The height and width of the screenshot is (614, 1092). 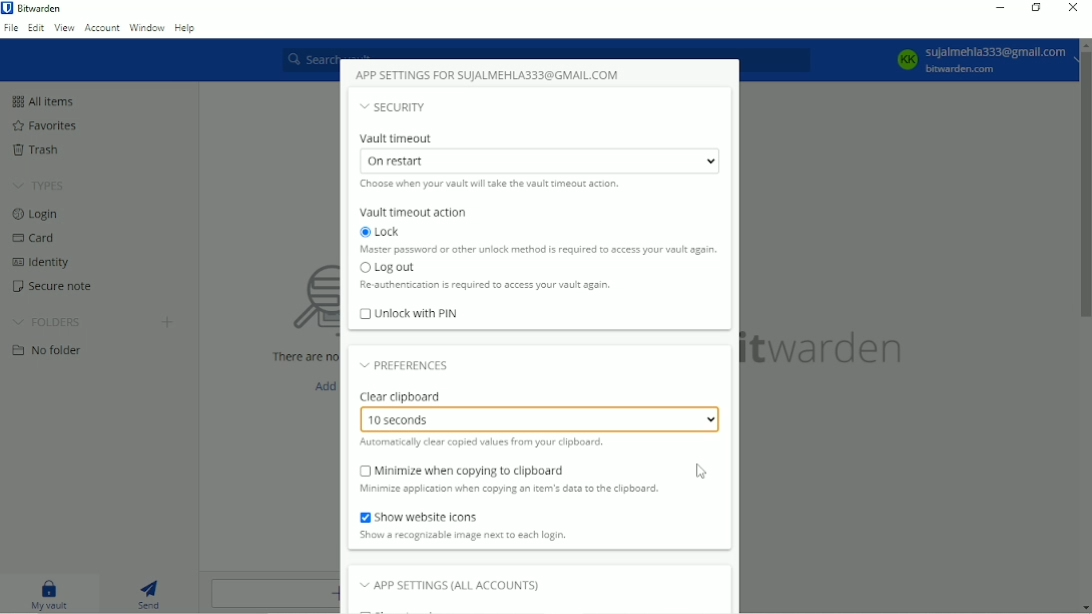 What do you see at coordinates (44, 9) in the screenshot?
I see `Bitwarden` at bounding box center [44, 9].